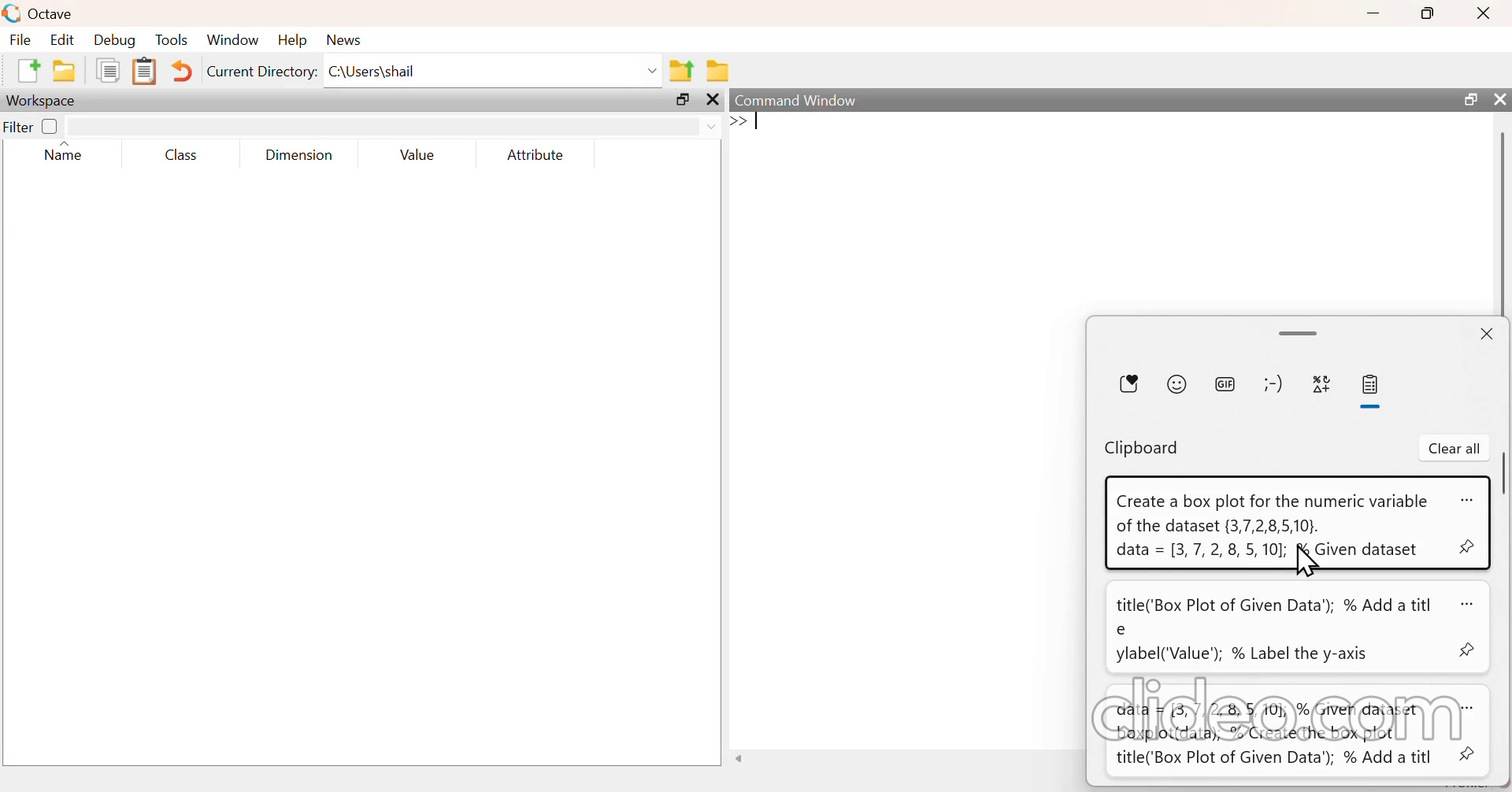  What do you see at coordinates (1296, 332) in the screenshot?
I see `expand/drag` at bounding box center [1296, 332].